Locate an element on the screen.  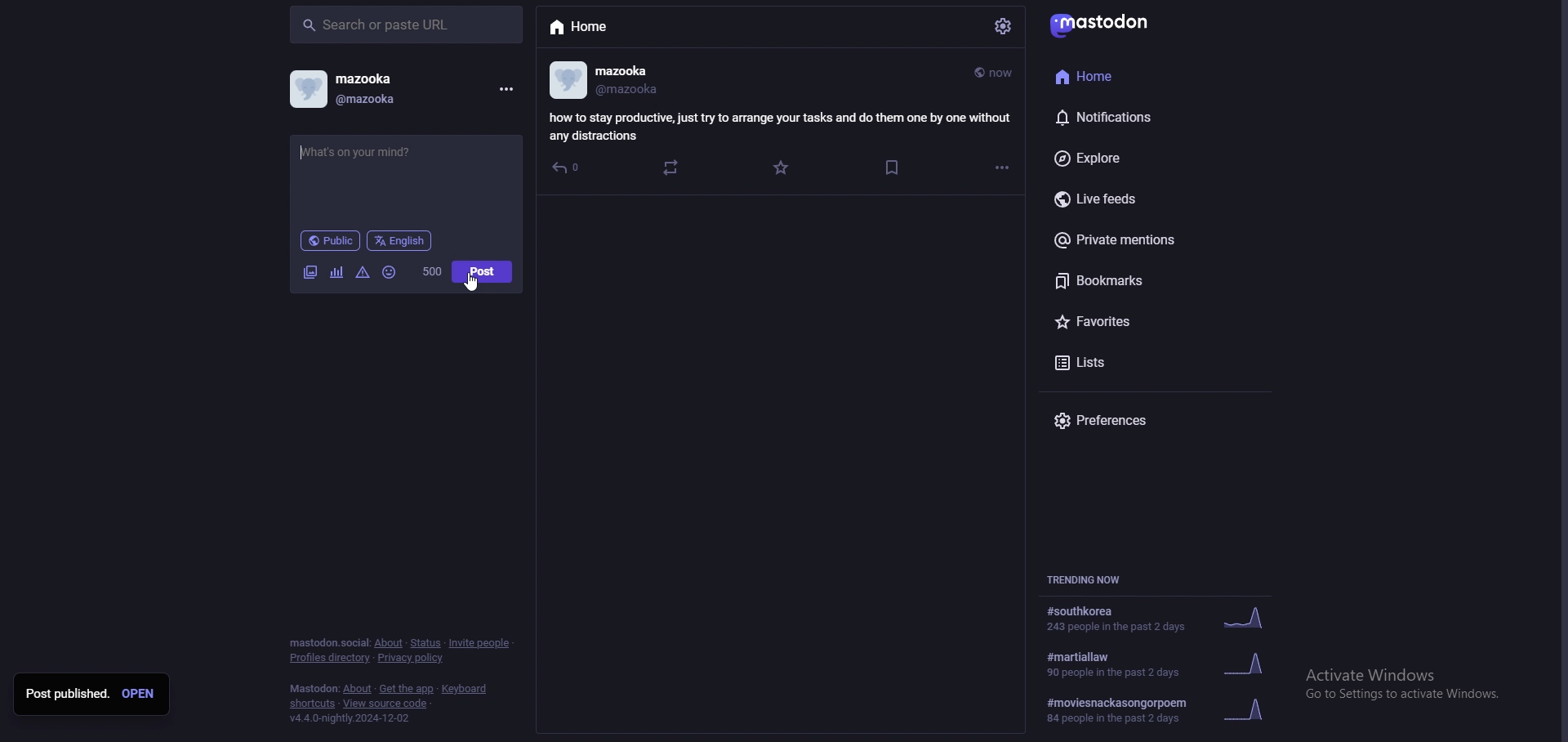
productivity status is located at coordinates (406, 163).